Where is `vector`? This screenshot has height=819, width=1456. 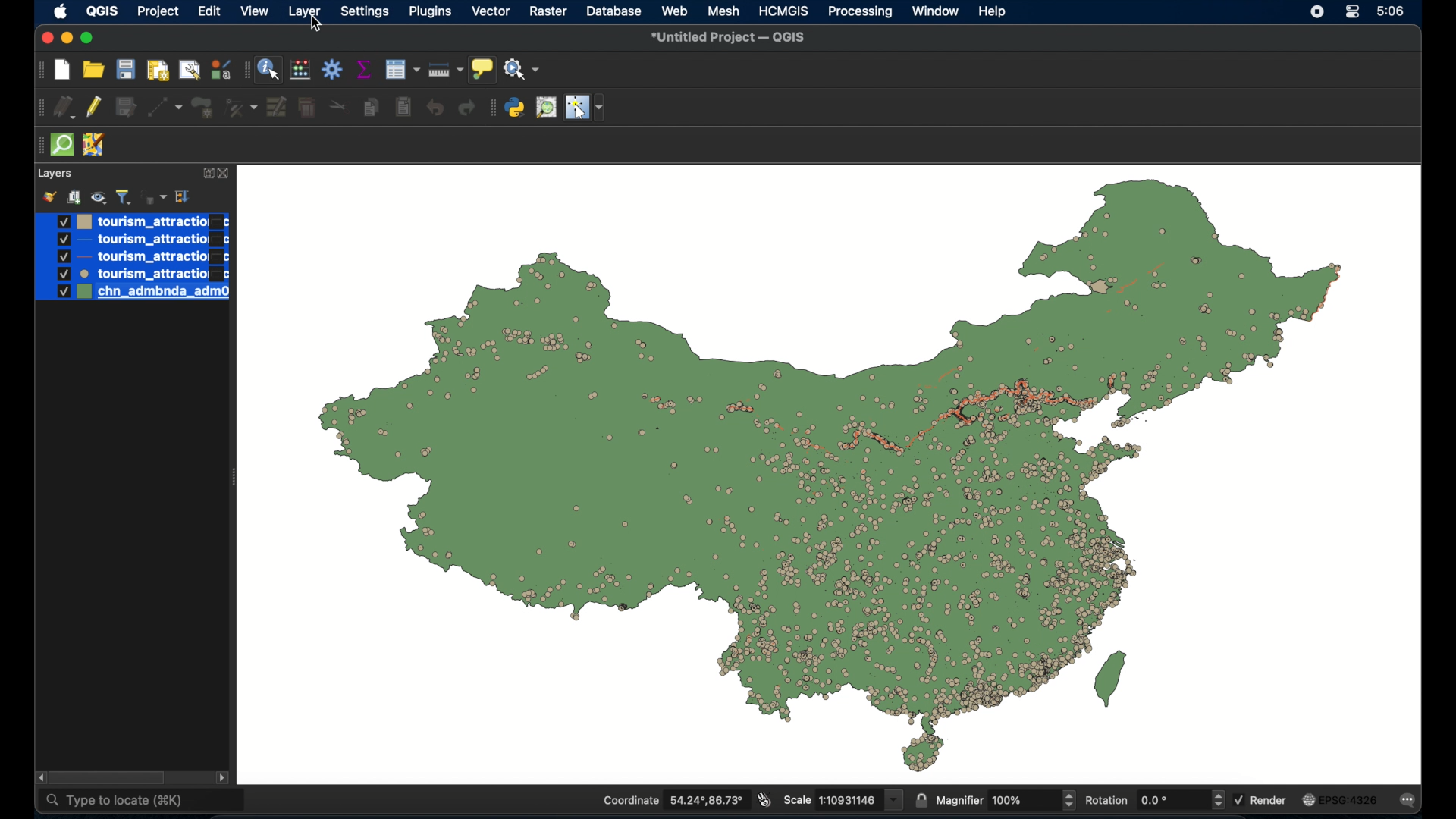 vector is located at coordinates (492, 12).